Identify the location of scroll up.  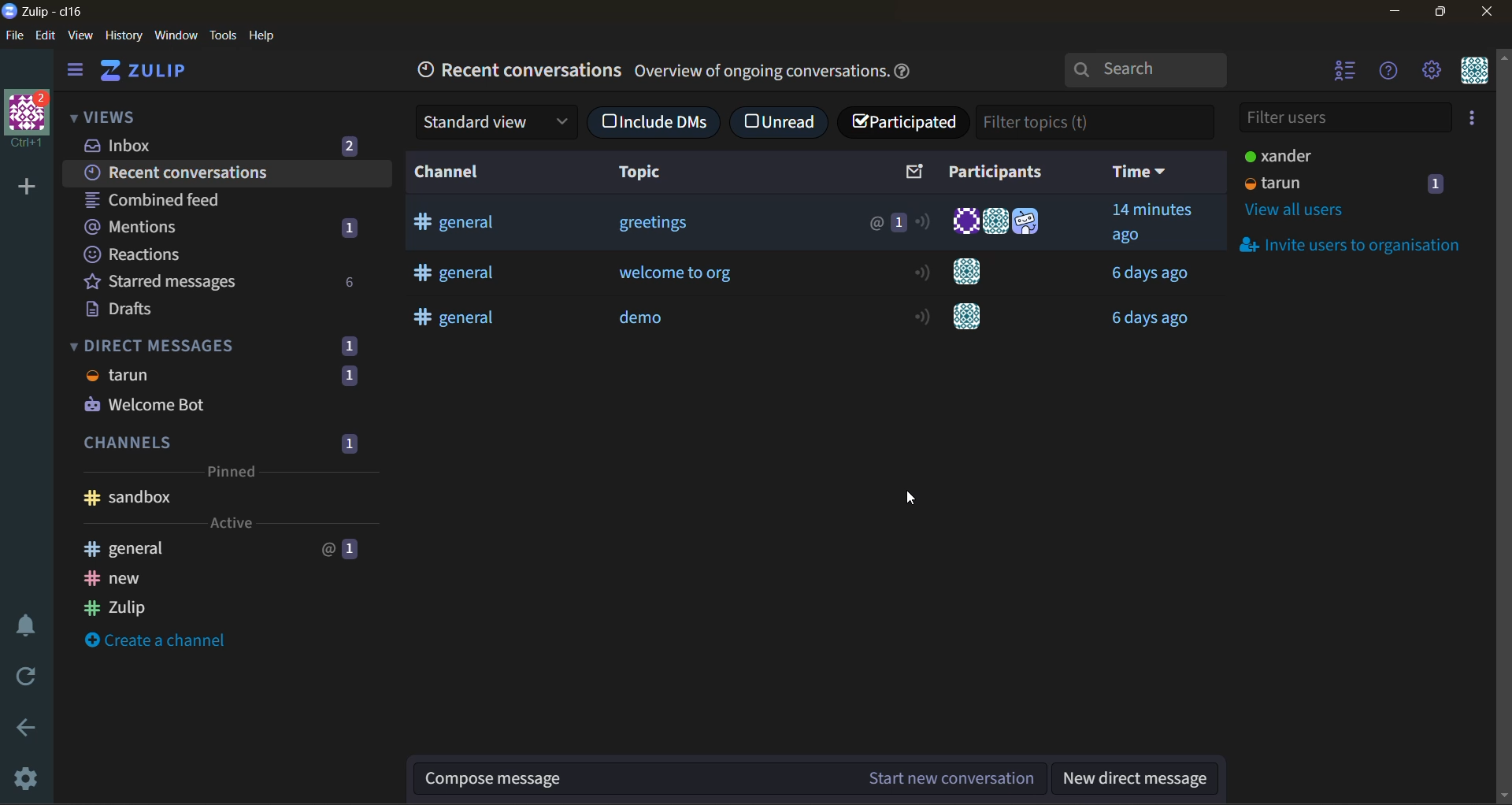
(1503, 58).